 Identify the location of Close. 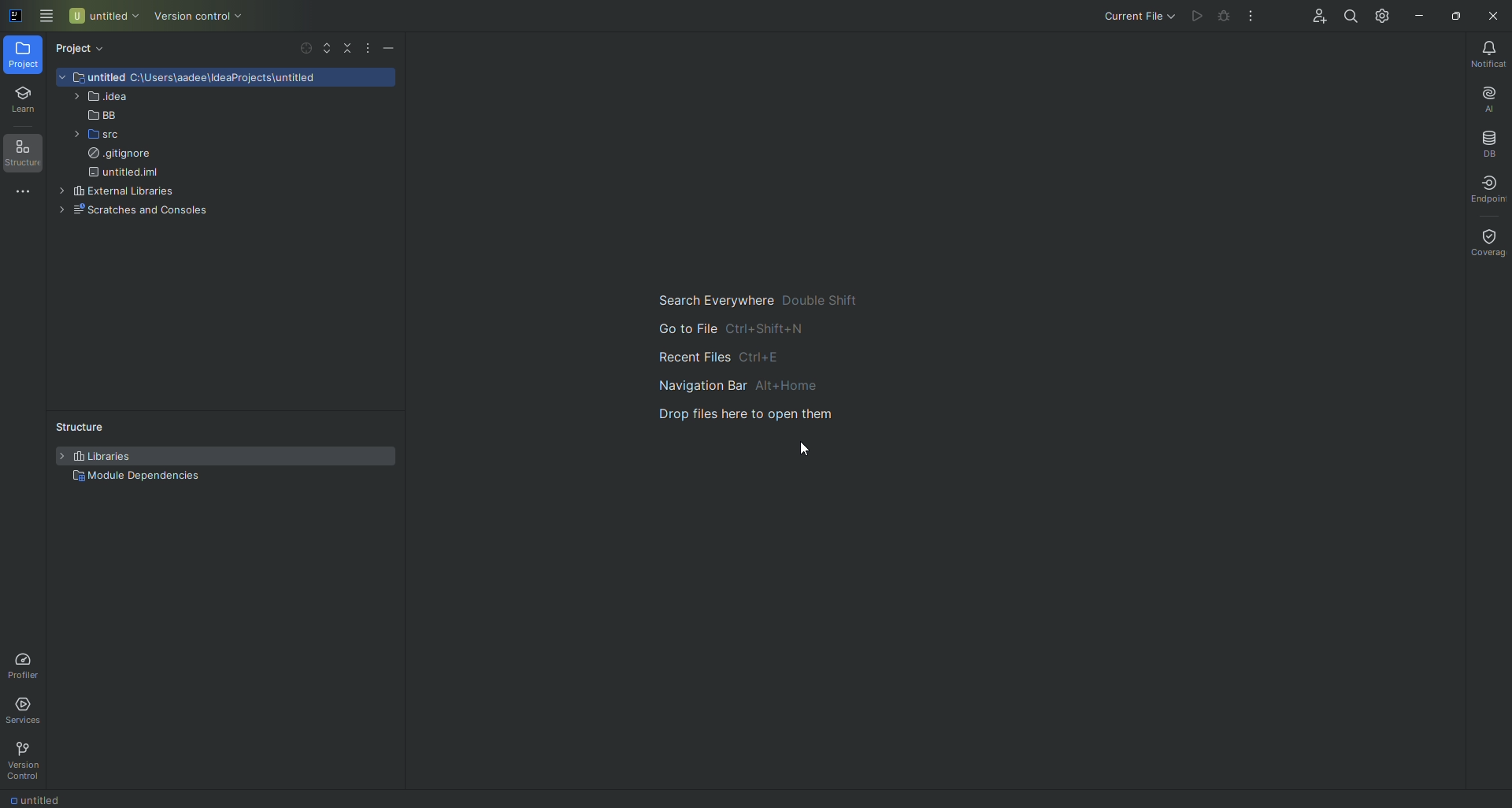
(1492, 17).